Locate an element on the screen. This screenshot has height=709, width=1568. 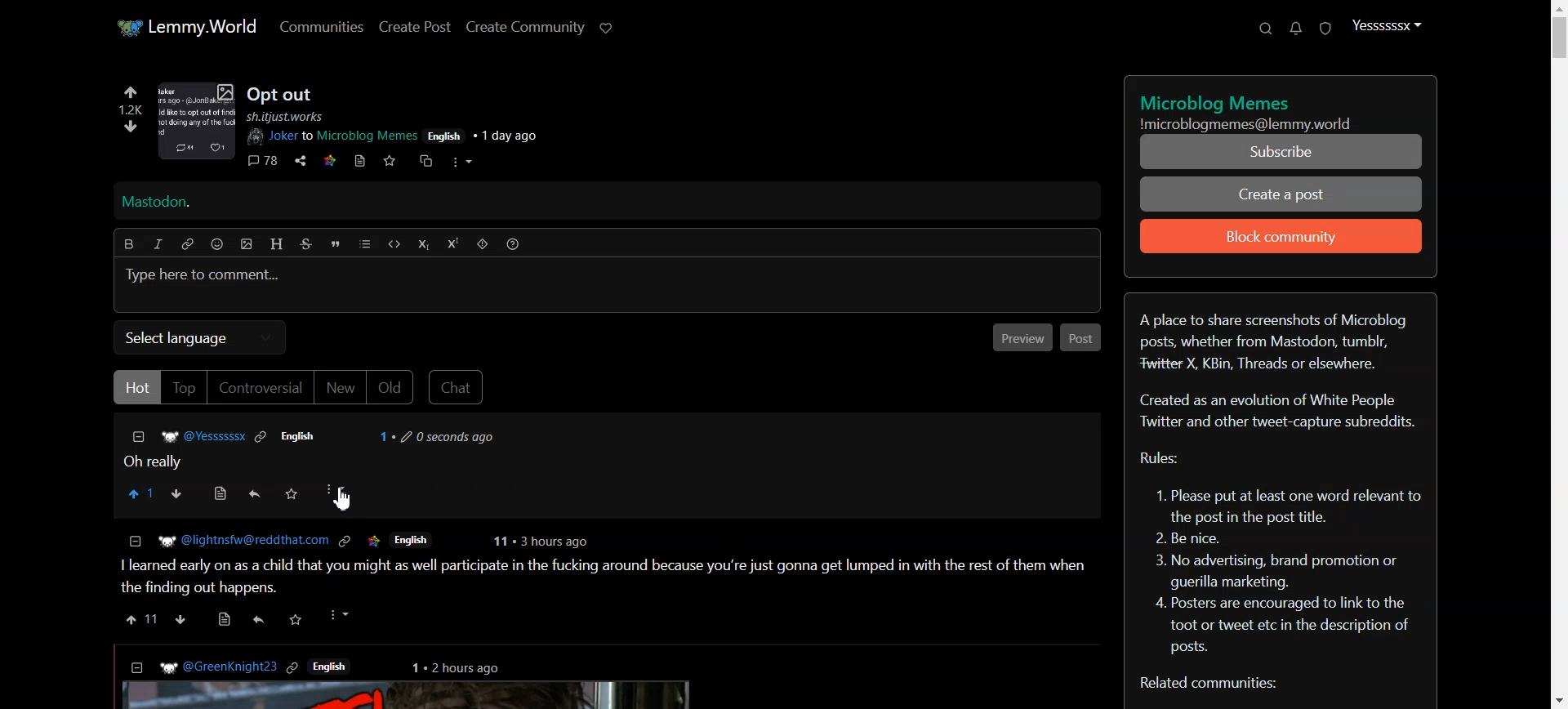
Upvote is located at coordinates (142, 494).